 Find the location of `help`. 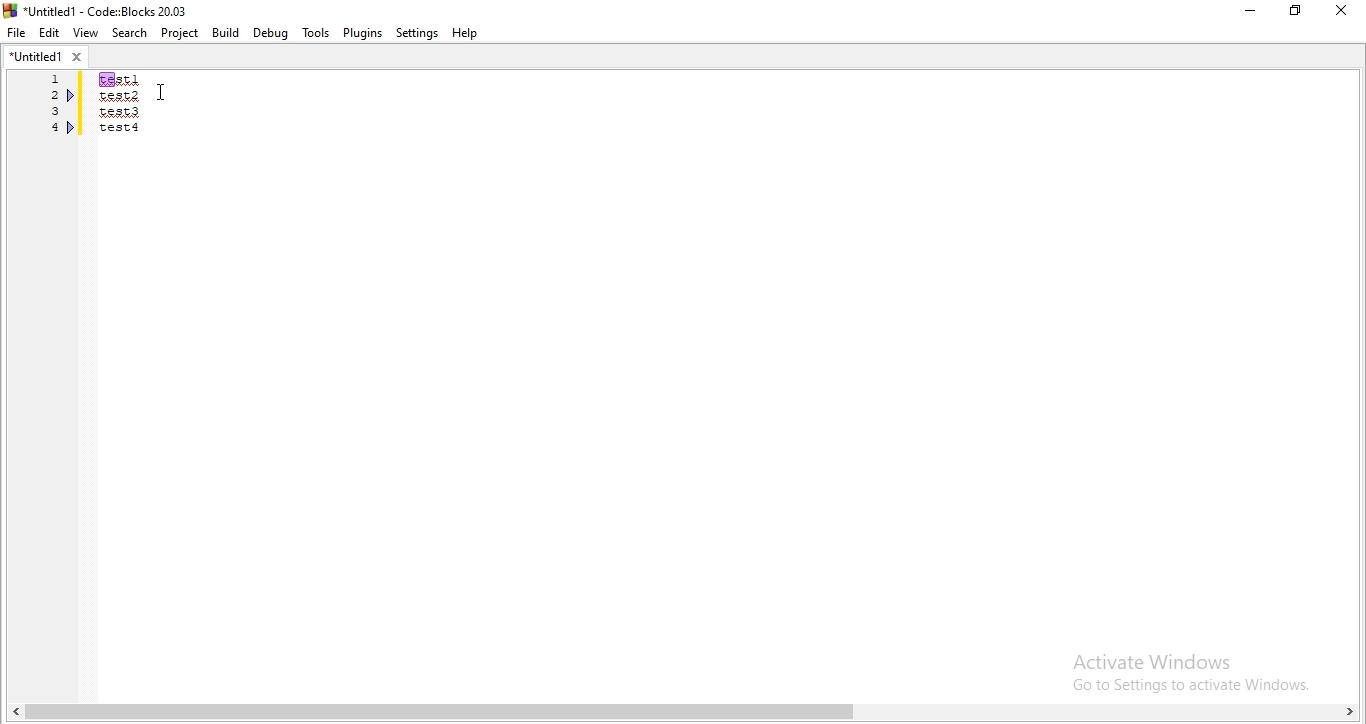

help is located at coordinates (467, 33).